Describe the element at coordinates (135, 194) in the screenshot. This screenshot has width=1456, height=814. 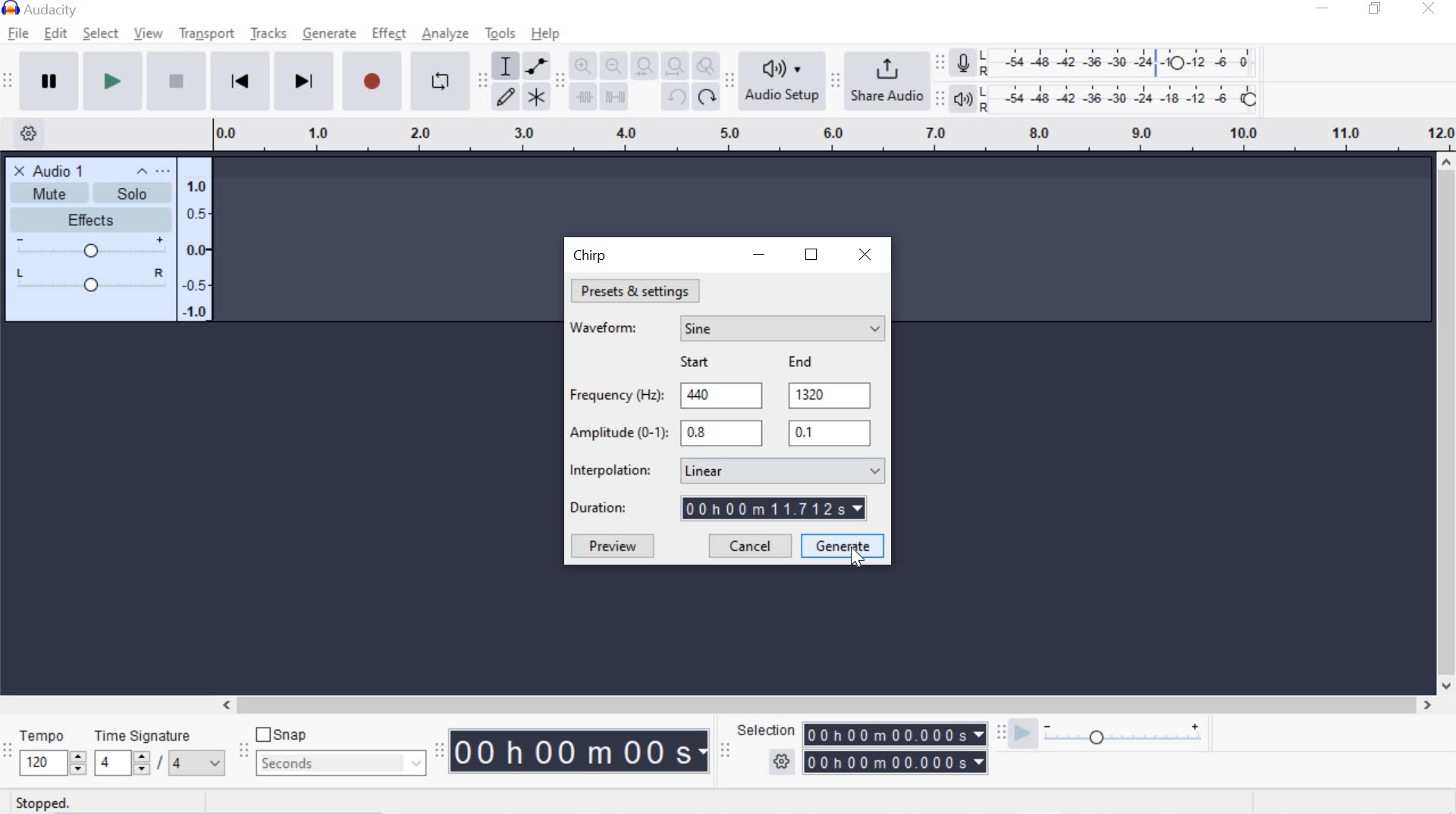
I see `solo` at that location.